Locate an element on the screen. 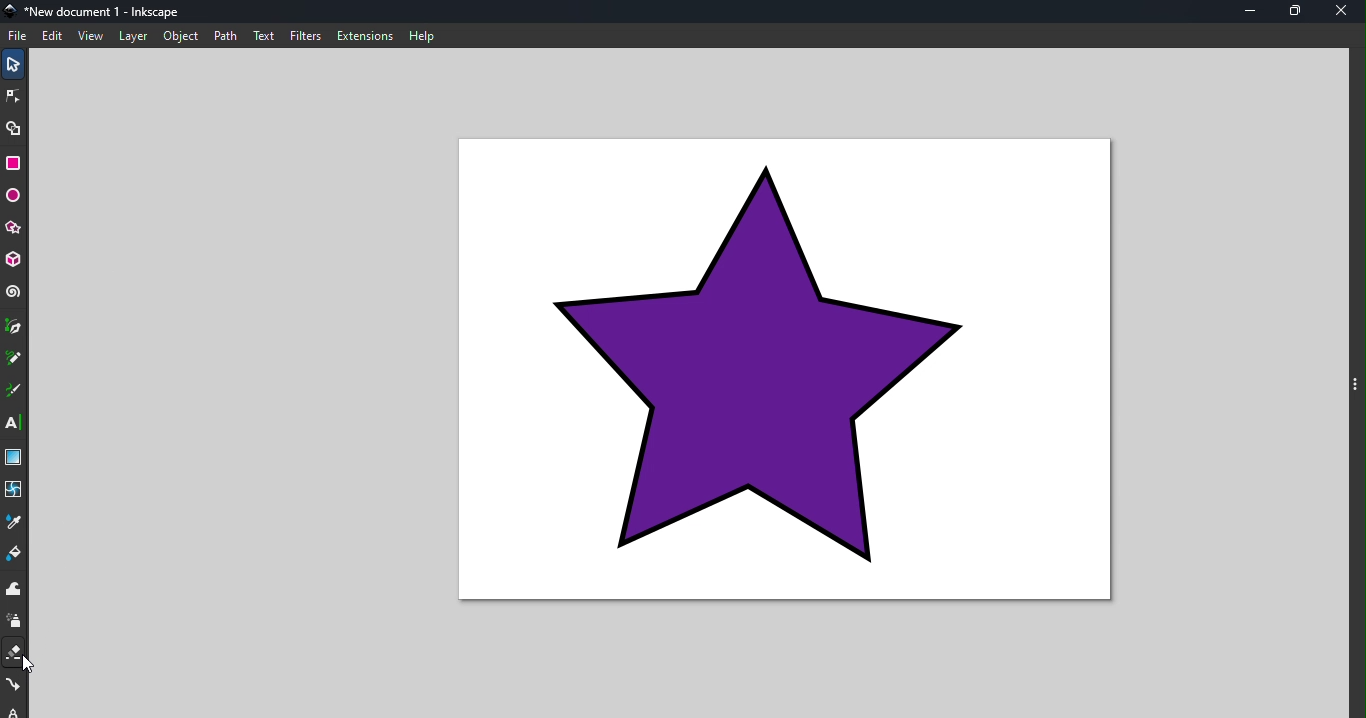 This screenshot has width=1366, height=718. gradient tool is located at coordinates (13, 457).